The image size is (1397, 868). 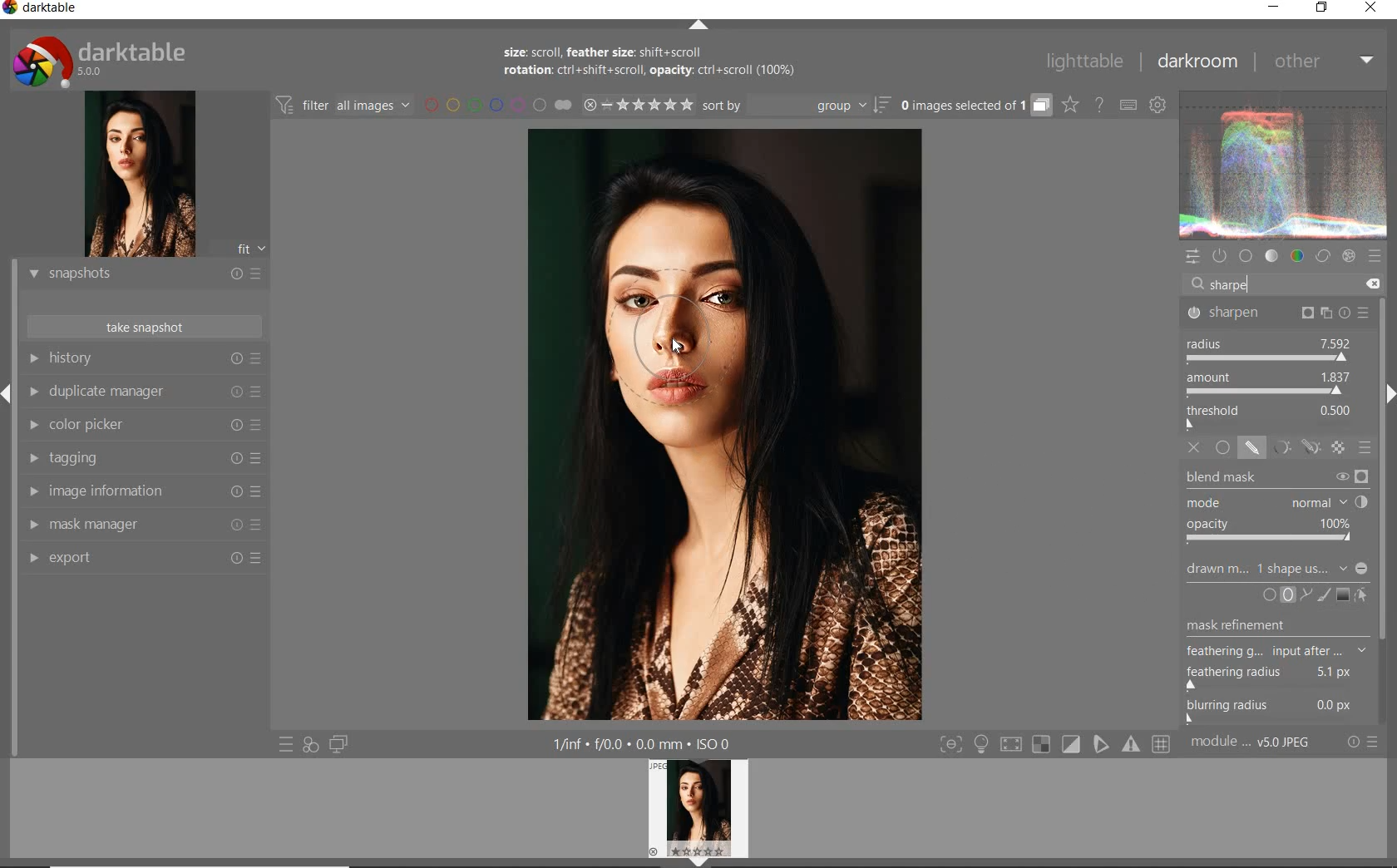 What do you see at coordinates (646, 745) in the screenshot?
I see `other display information` at bounding box center [646, 745].